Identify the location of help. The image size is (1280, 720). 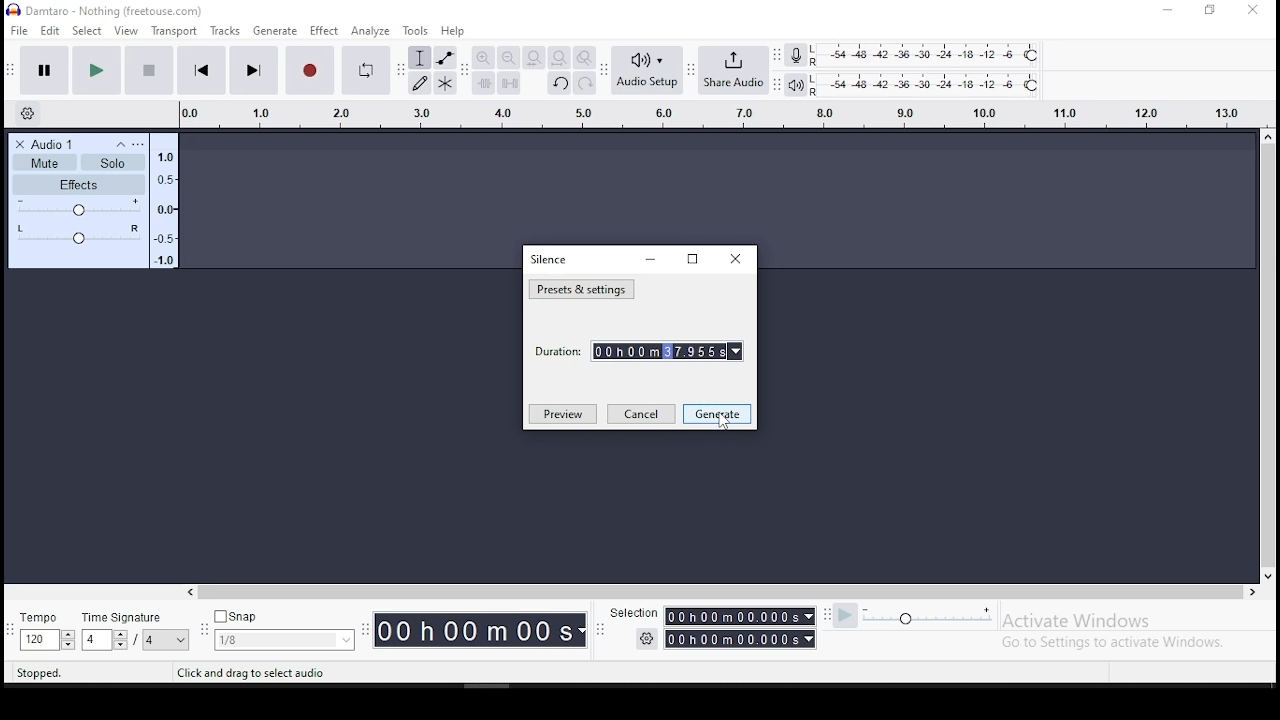
(453, 31).